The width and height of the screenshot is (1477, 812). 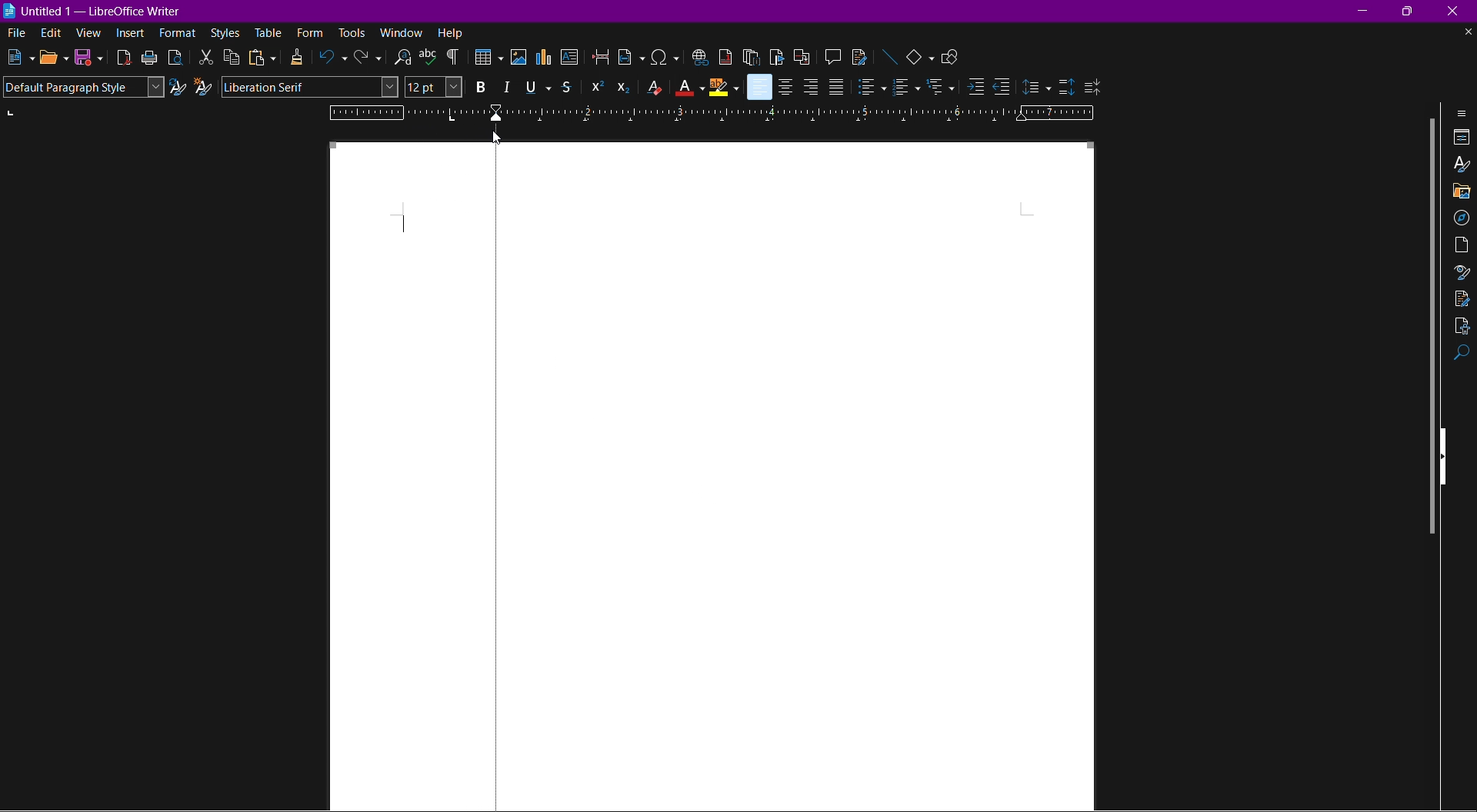 I want to click on Insert Footnote, so click(x=724, y=56).